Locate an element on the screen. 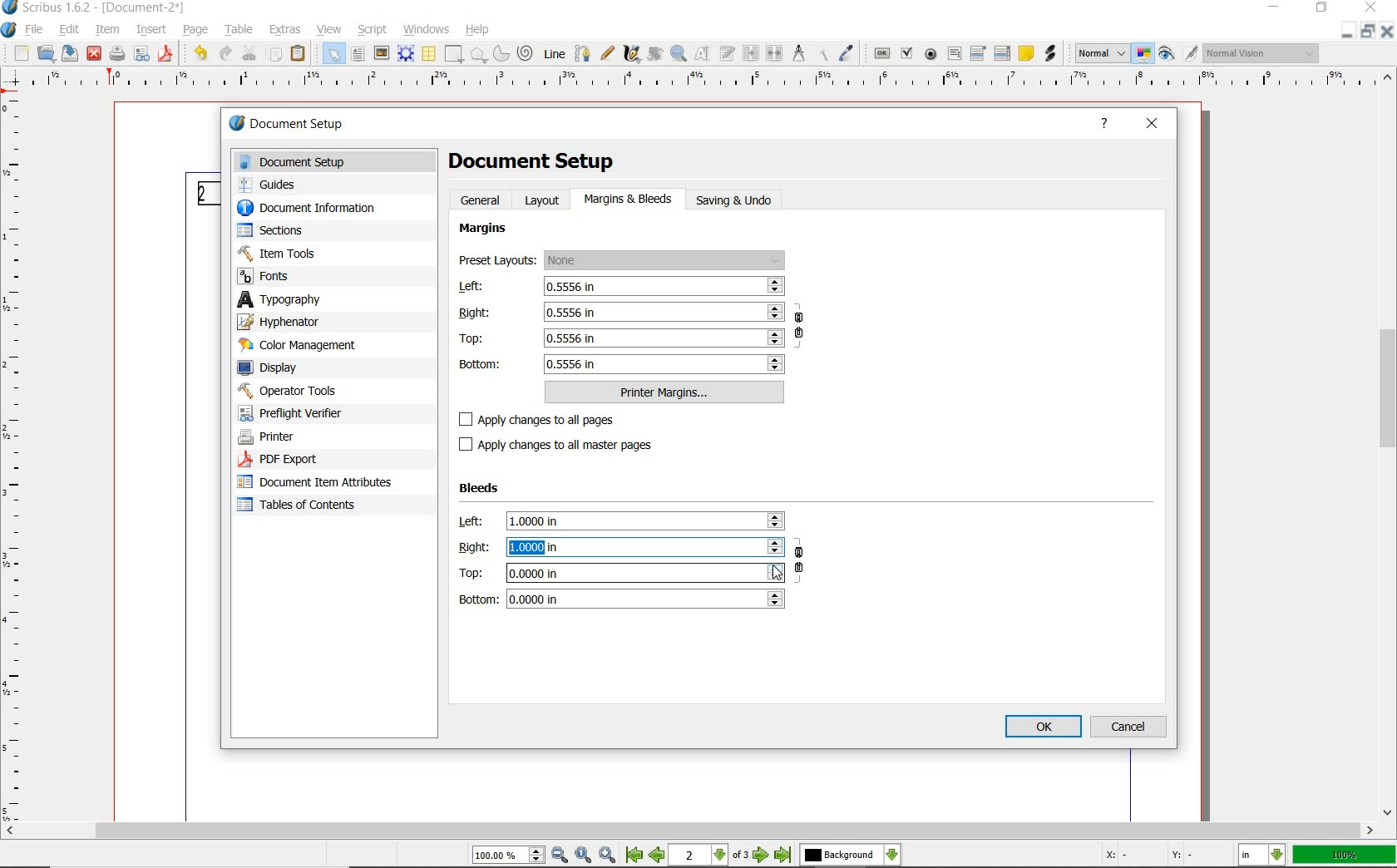 The height and width of the screenshot is (868, 1397). edit text with story editor is located at coordinates (728, 53).